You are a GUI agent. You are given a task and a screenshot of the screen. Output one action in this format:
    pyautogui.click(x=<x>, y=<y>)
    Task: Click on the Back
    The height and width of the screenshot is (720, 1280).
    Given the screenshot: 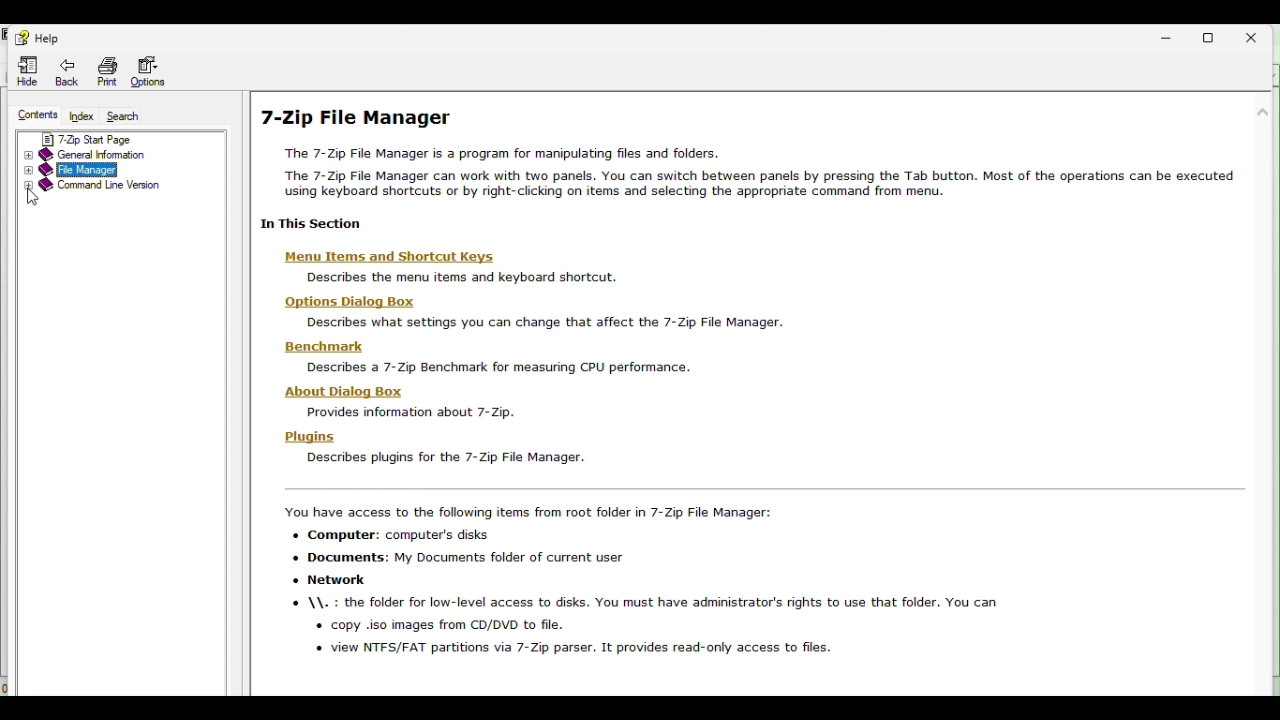 What is the action you would take?
    pyautogui.click(x=64, y=70)
    